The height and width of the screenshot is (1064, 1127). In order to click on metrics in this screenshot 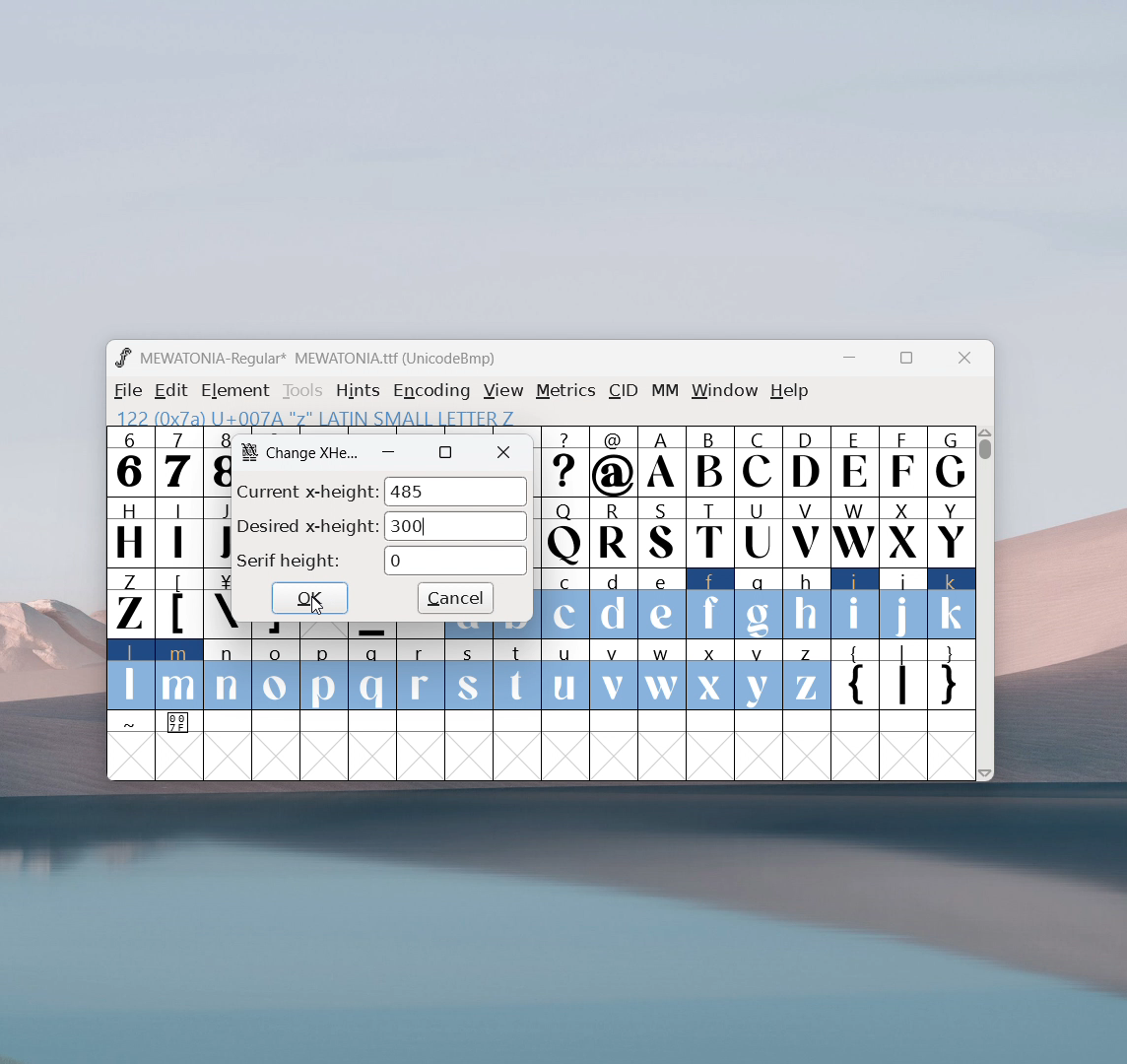, I will do `click(565, 391)`.